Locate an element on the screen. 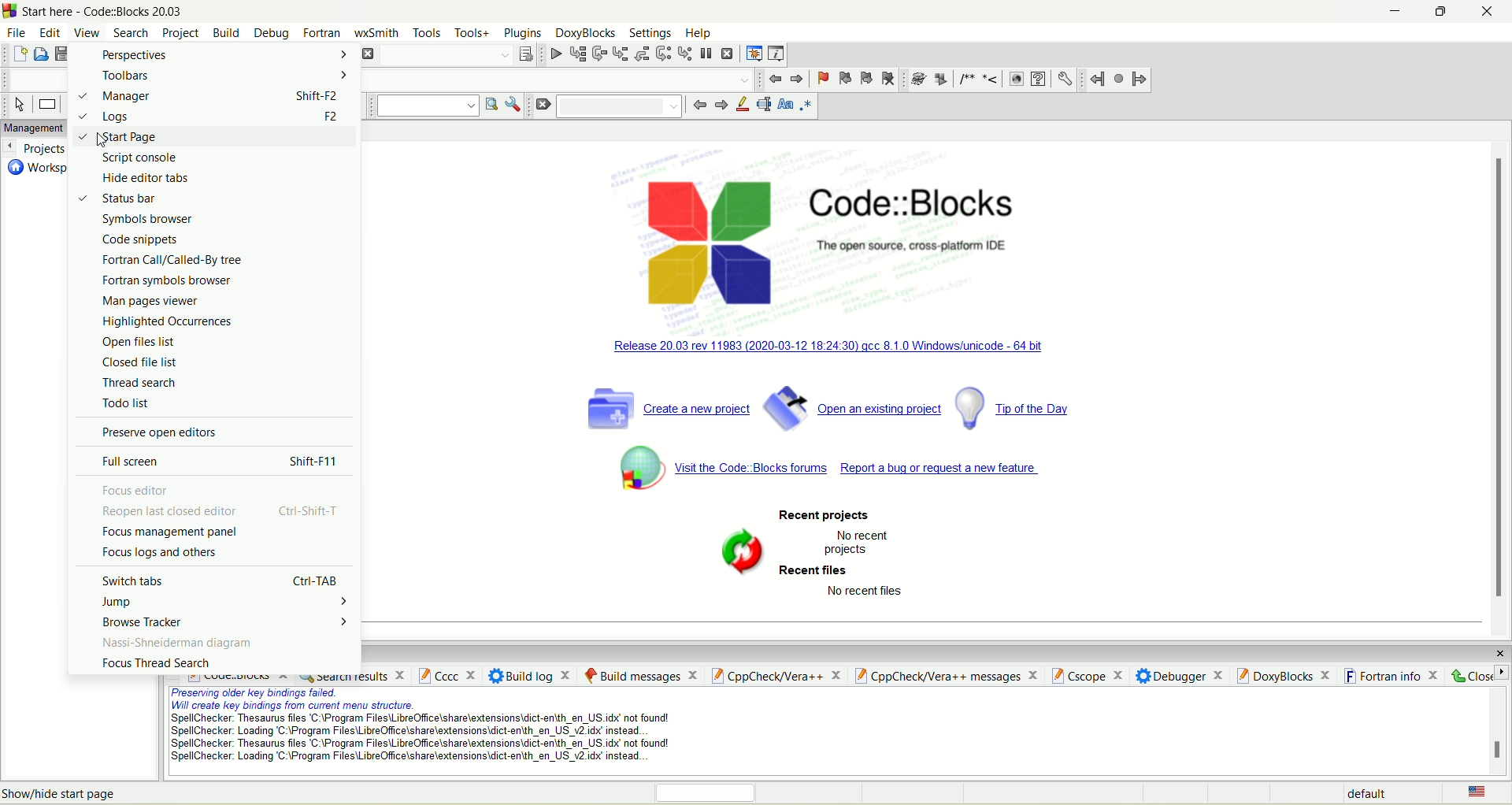  option window is located at coordinates (517, 107).